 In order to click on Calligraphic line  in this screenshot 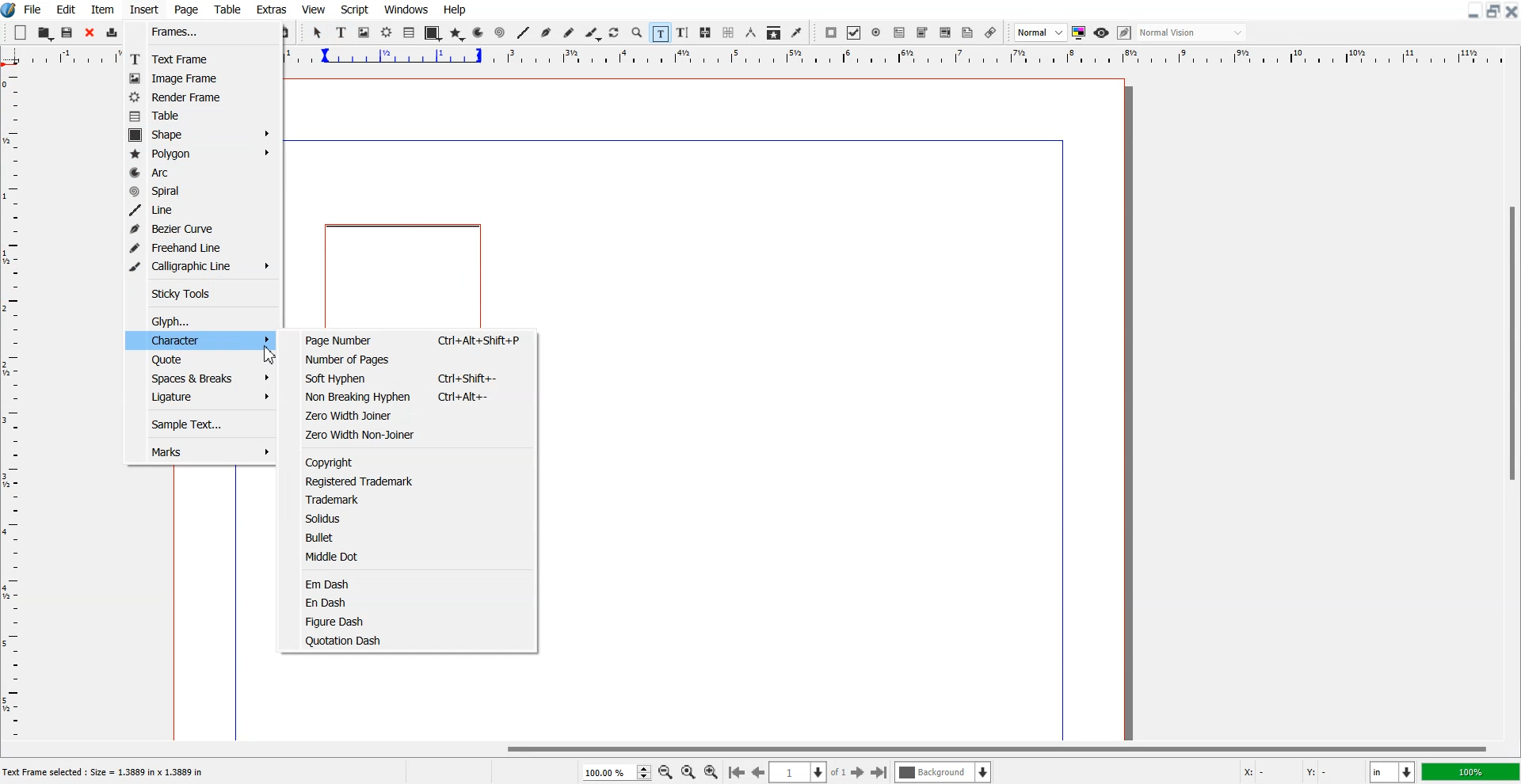, I will do `click(593, 34)`.